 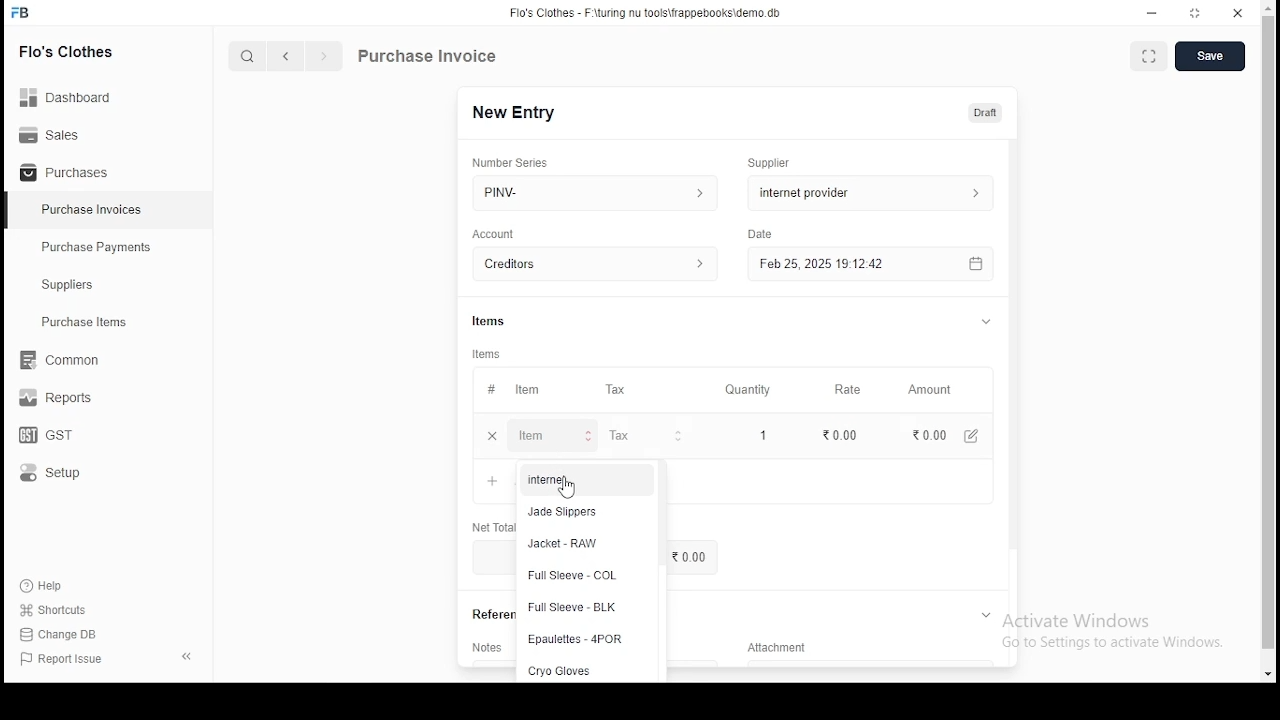 What do you see at coordinates (577, 640) in the screenshot?
I see `epaulettes - 4POR` at bounding box center [577, 640].